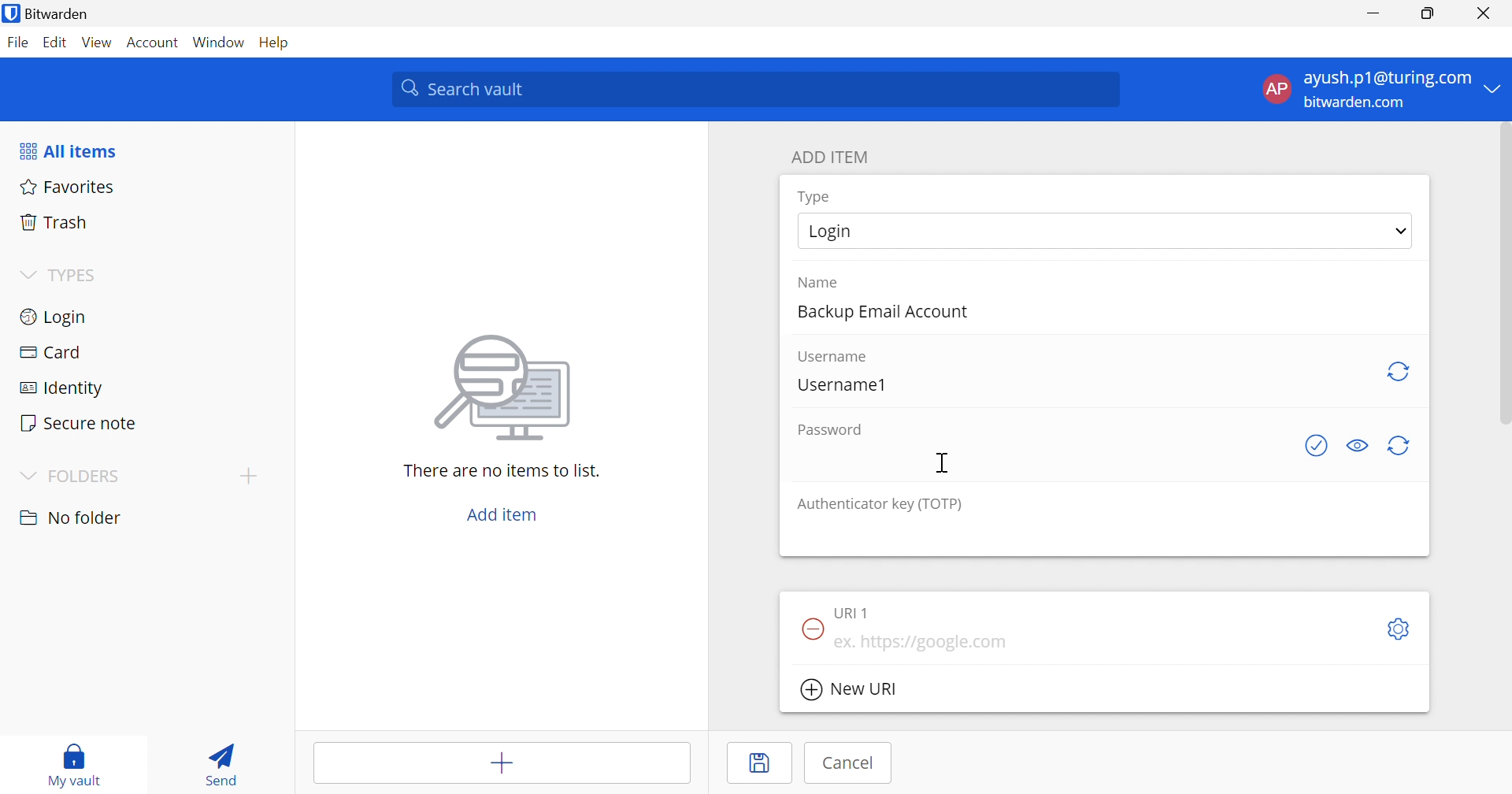  Describe the element at coordinates (811, 627) in the screenshot. I see `Remove` at that location.